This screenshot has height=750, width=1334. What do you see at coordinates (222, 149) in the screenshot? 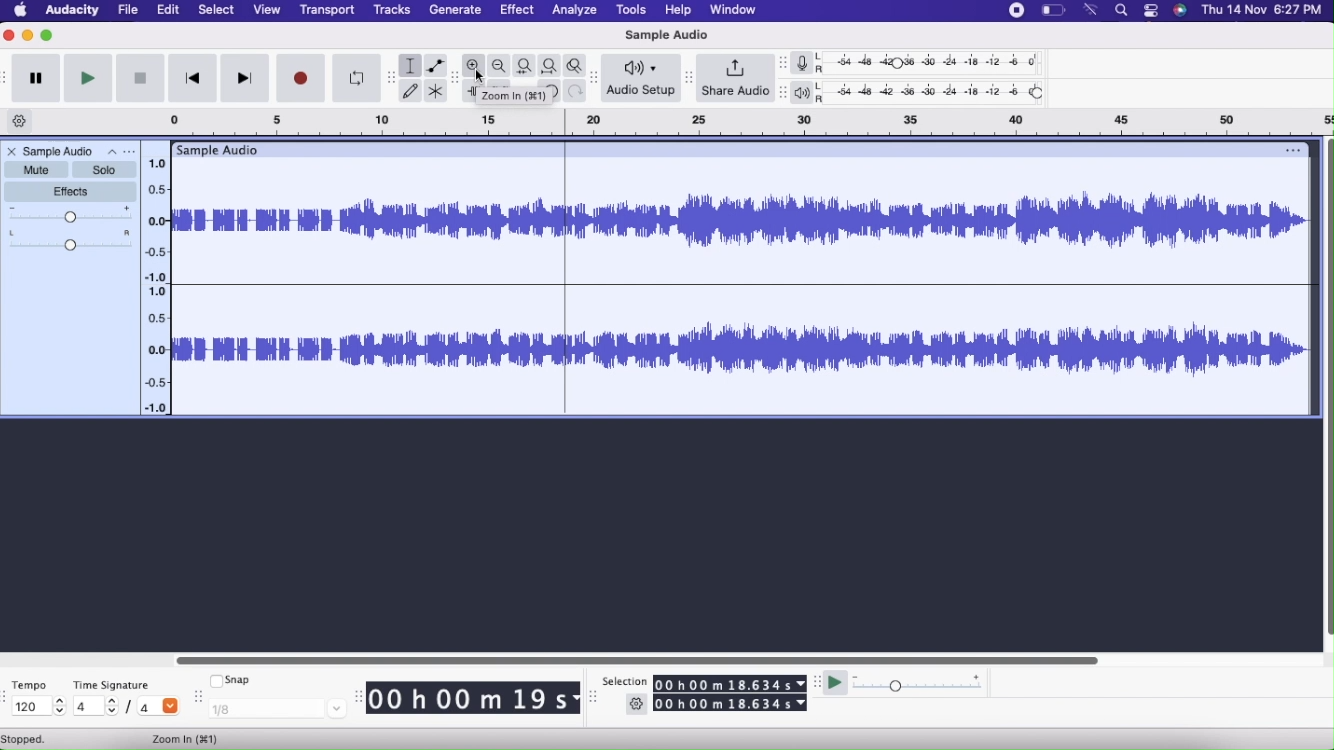
I see `Sample Audio` at bounding box center [222, 149].